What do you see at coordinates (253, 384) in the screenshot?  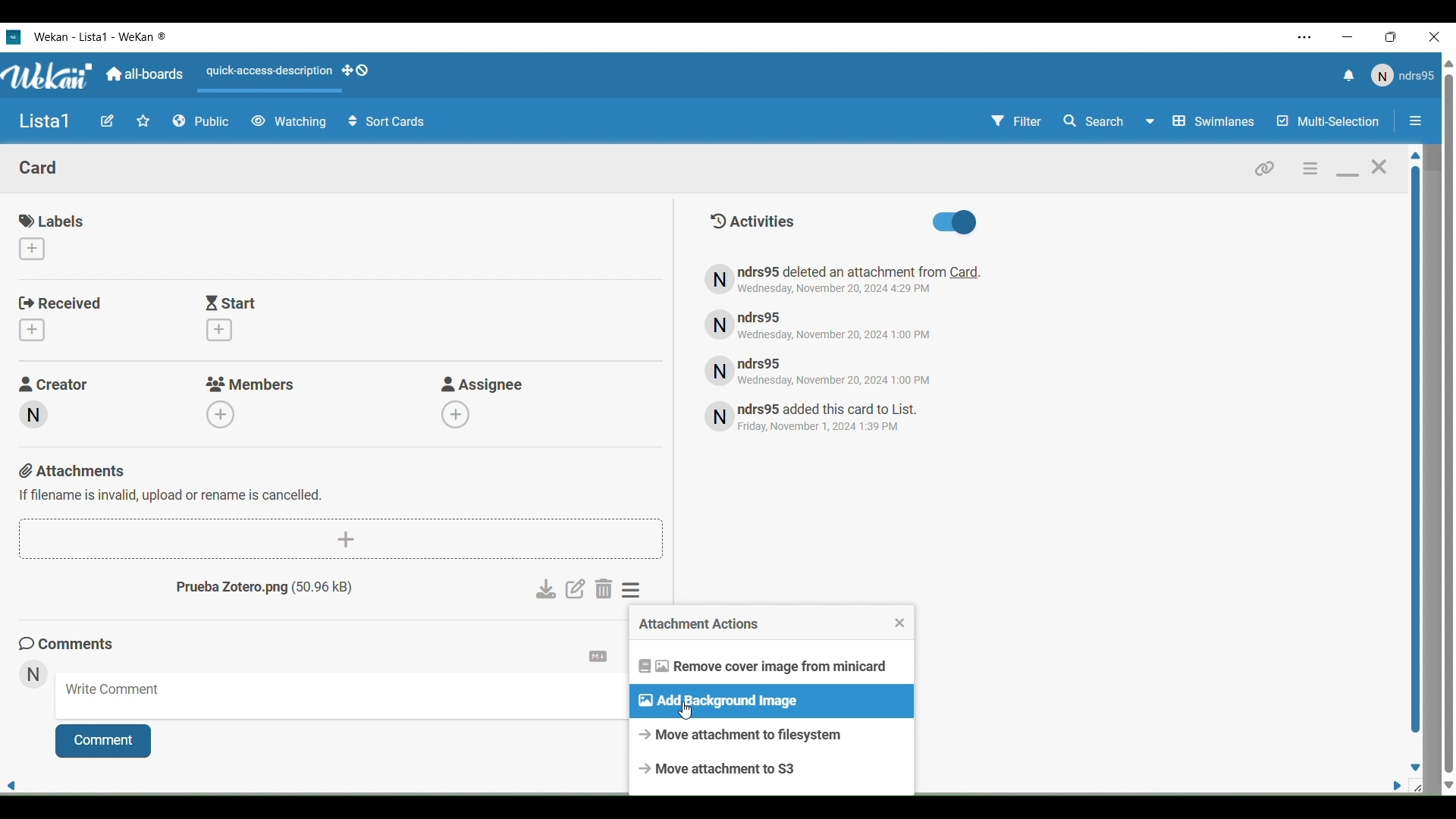 I see `Members` at bounding box center [253, 384].